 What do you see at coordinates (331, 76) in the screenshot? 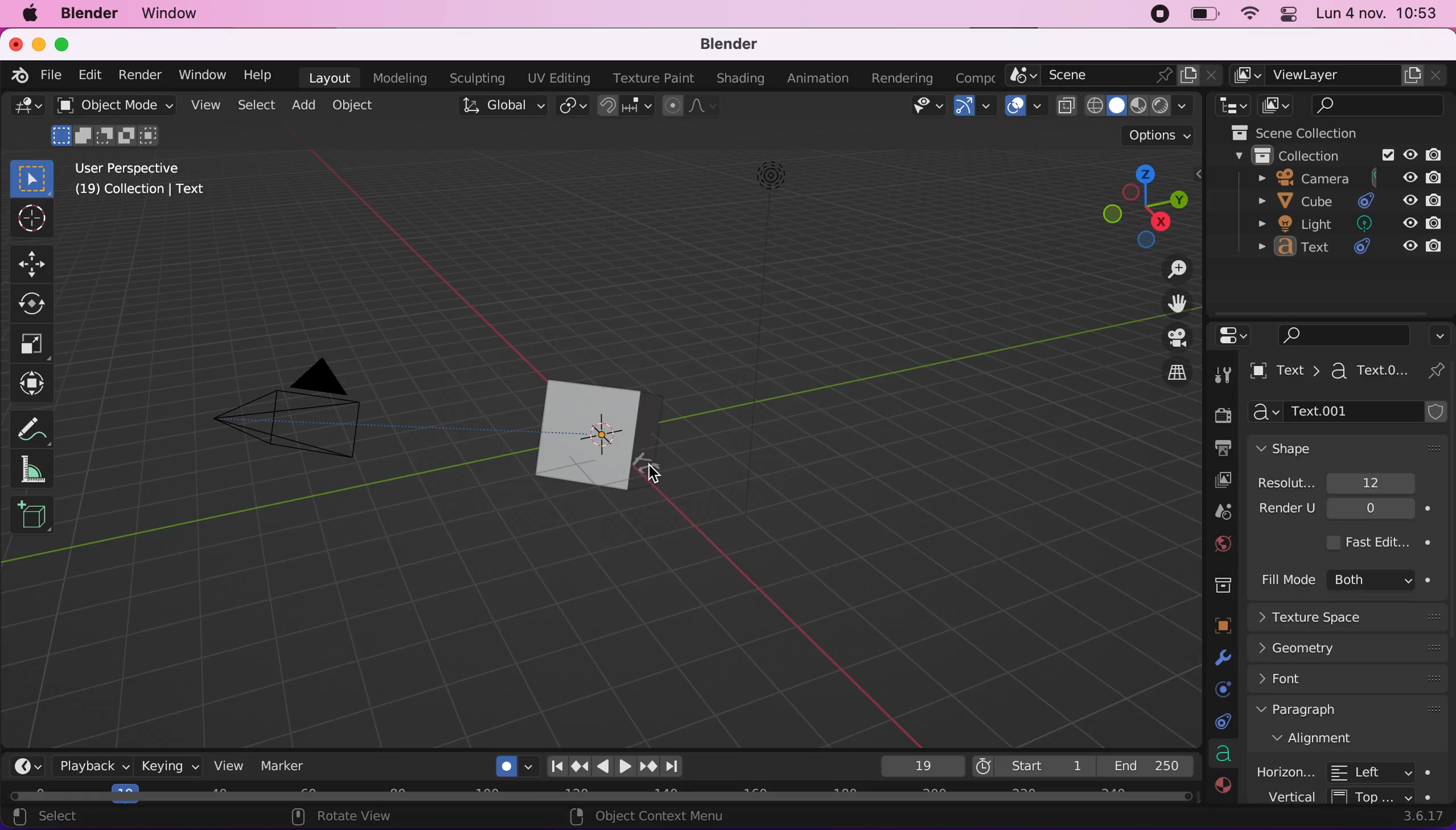
I see `layout` at bounding box center [331, 76].